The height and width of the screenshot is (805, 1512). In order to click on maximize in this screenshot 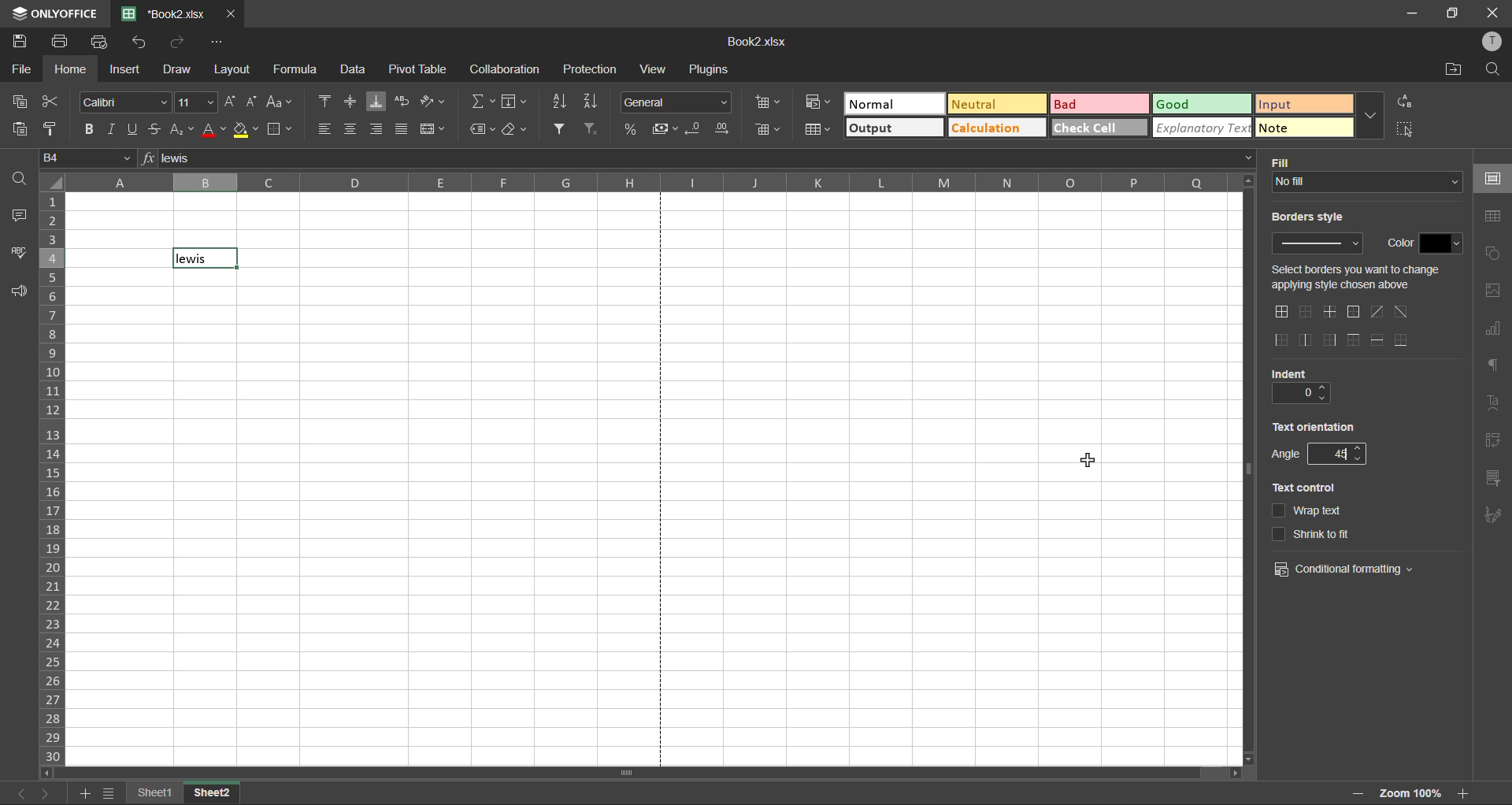, I will do `click(1454, 13)`.